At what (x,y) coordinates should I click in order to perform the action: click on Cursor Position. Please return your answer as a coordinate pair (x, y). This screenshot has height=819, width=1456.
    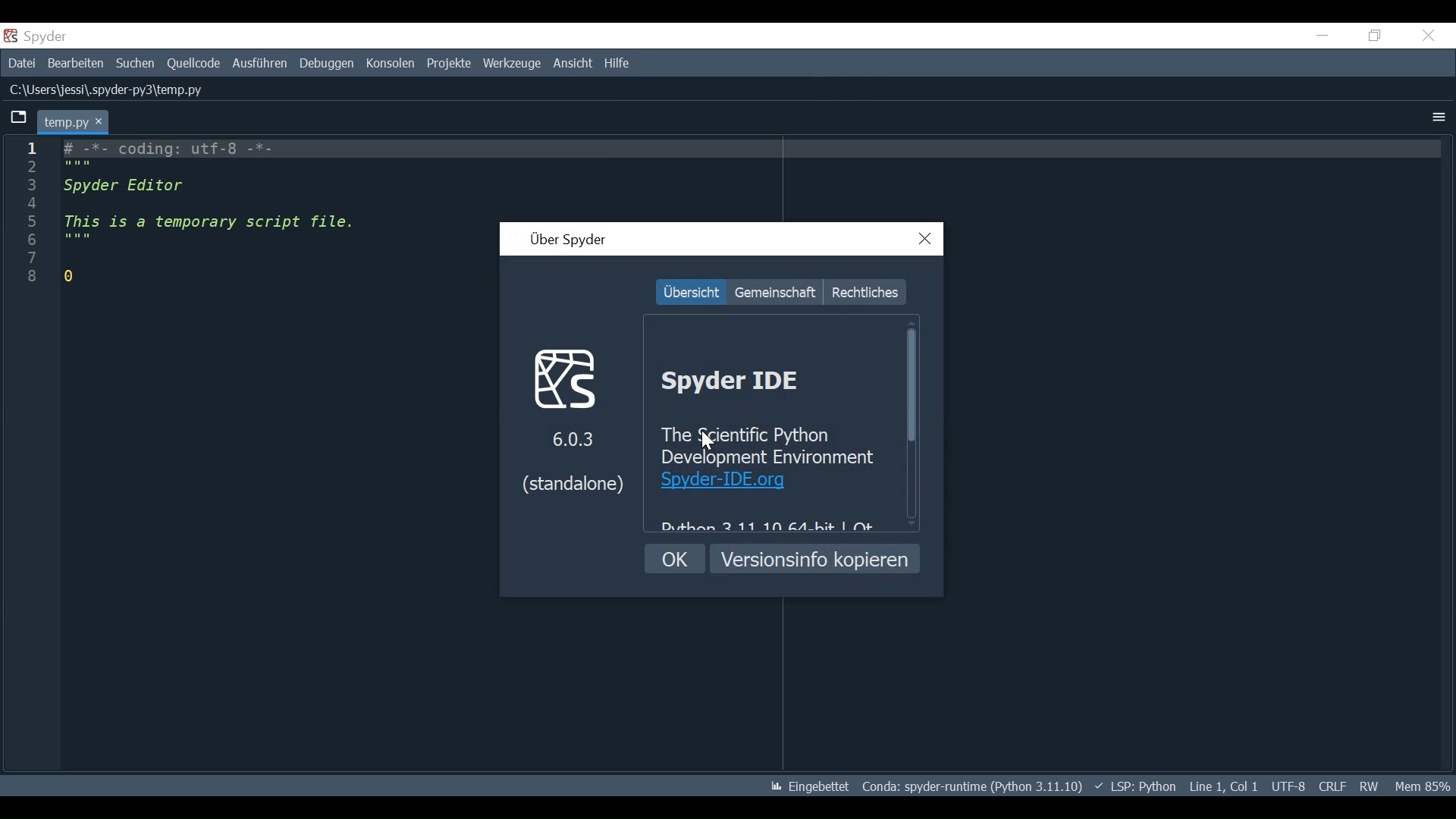
    Looking at the image, I should click on (1222, 787).